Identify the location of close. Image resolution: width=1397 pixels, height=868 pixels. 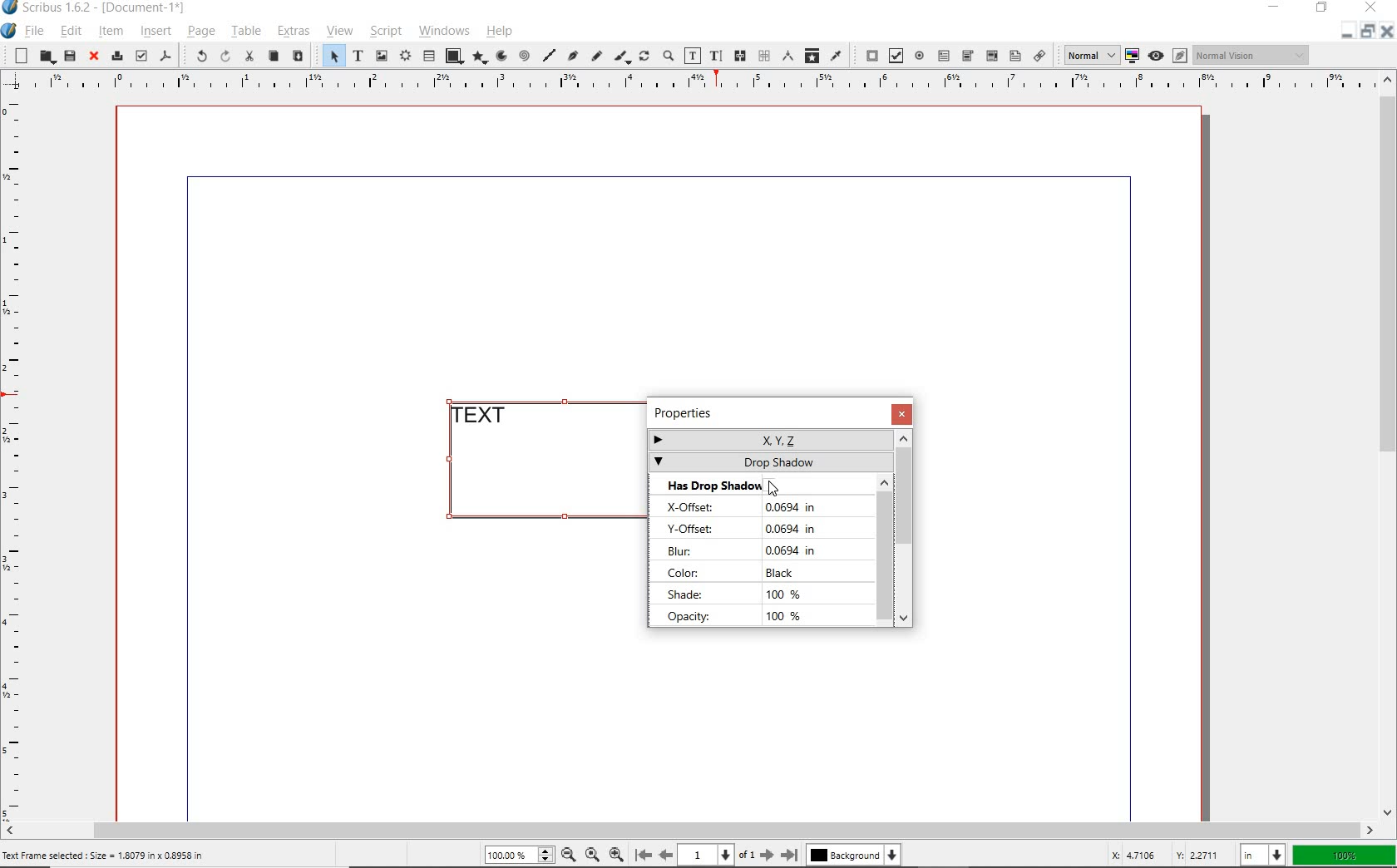
(900, 413).